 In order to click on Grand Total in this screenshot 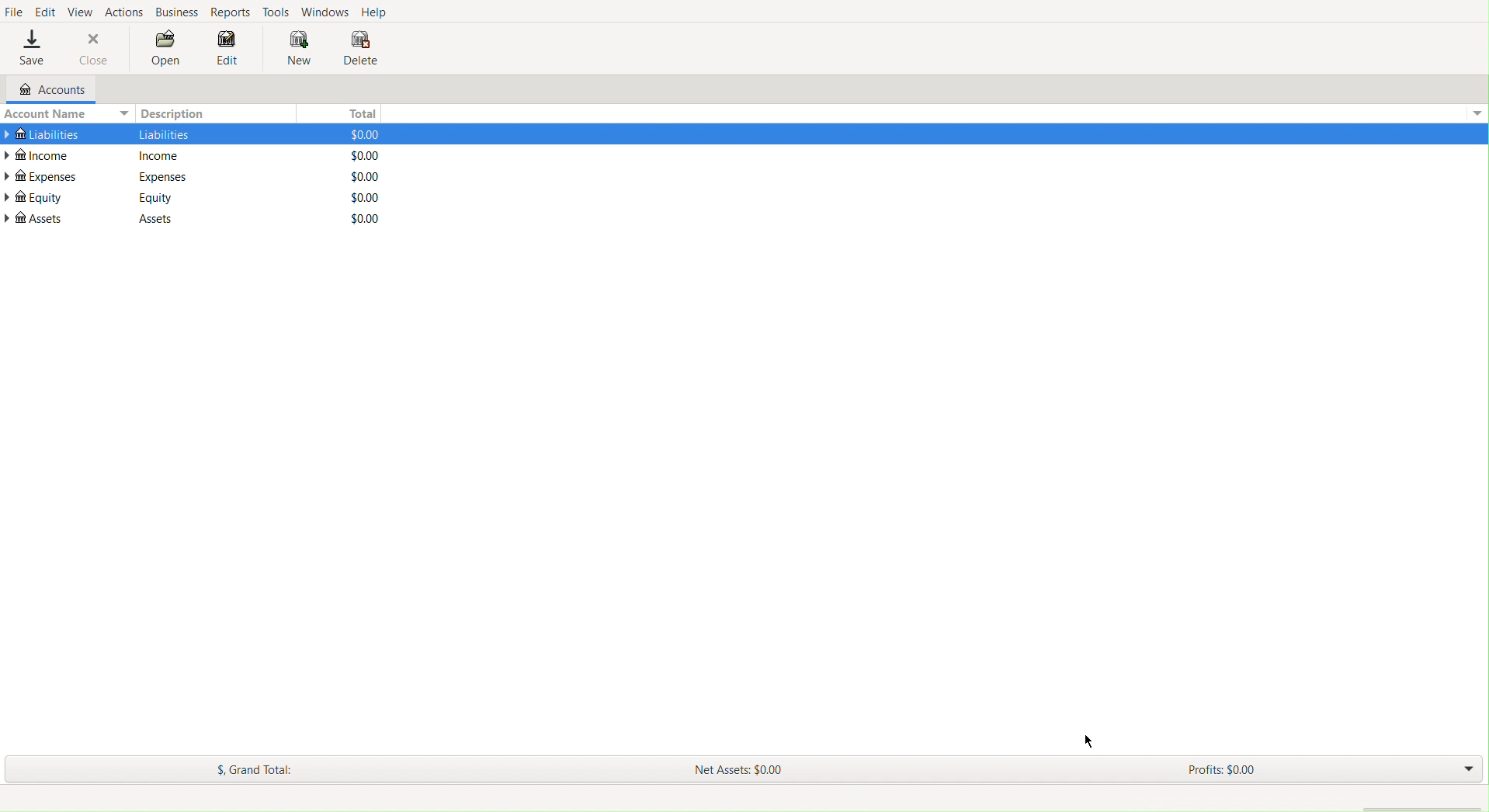, I will do `click(256, 769)`.